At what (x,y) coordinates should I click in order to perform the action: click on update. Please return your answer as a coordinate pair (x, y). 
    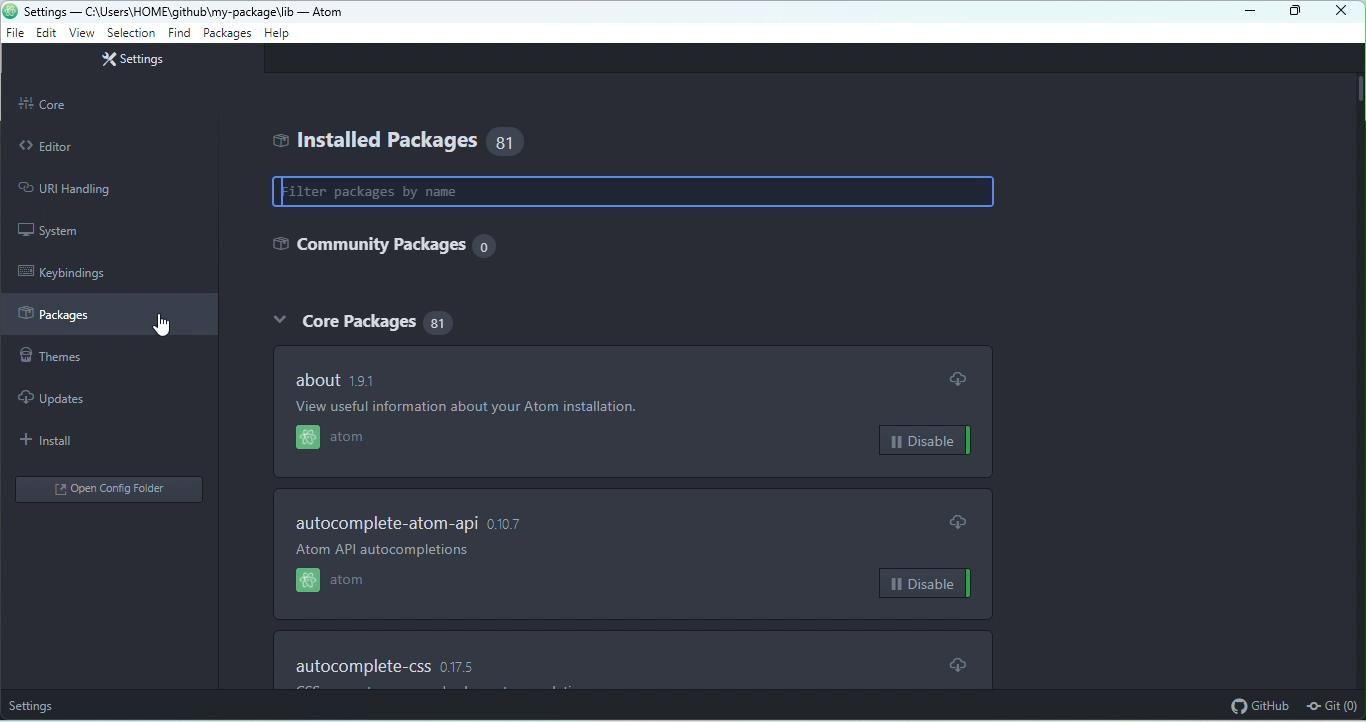
    Looking at the image, I should click on (951, 663).